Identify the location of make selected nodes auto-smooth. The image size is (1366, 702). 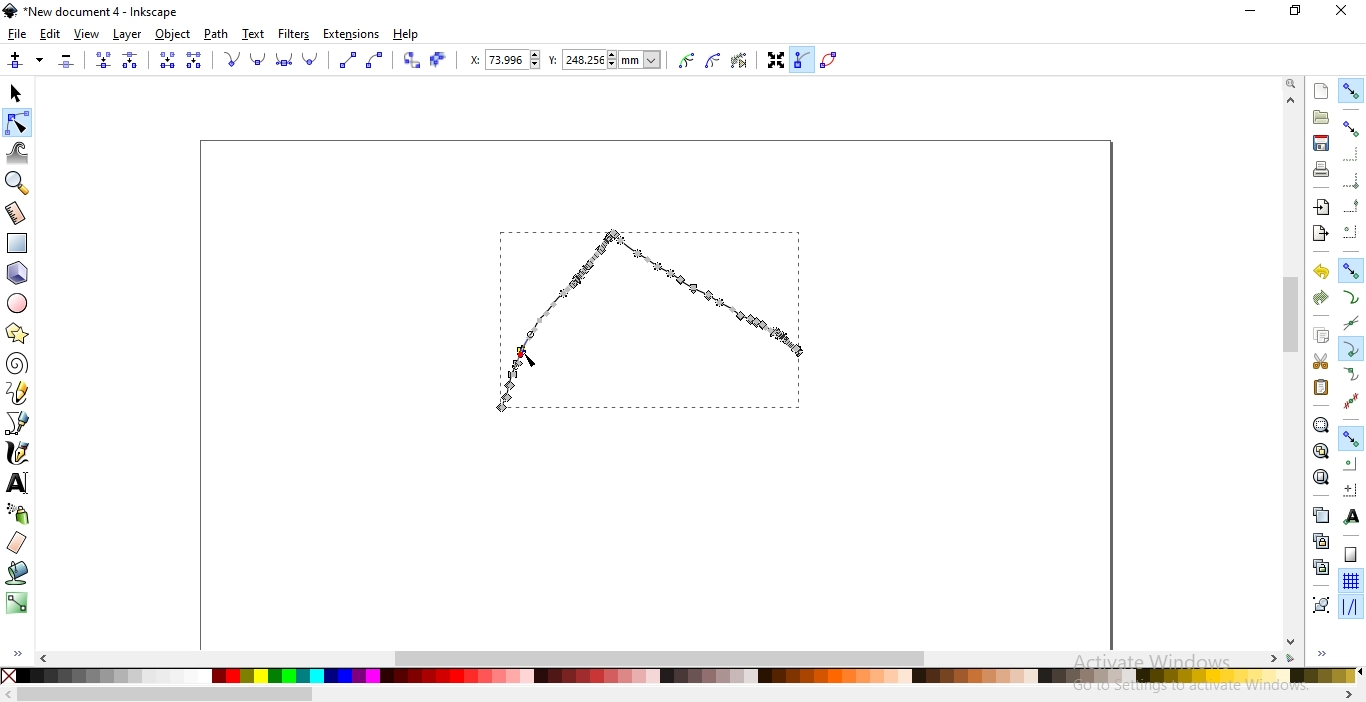
(311, 60).